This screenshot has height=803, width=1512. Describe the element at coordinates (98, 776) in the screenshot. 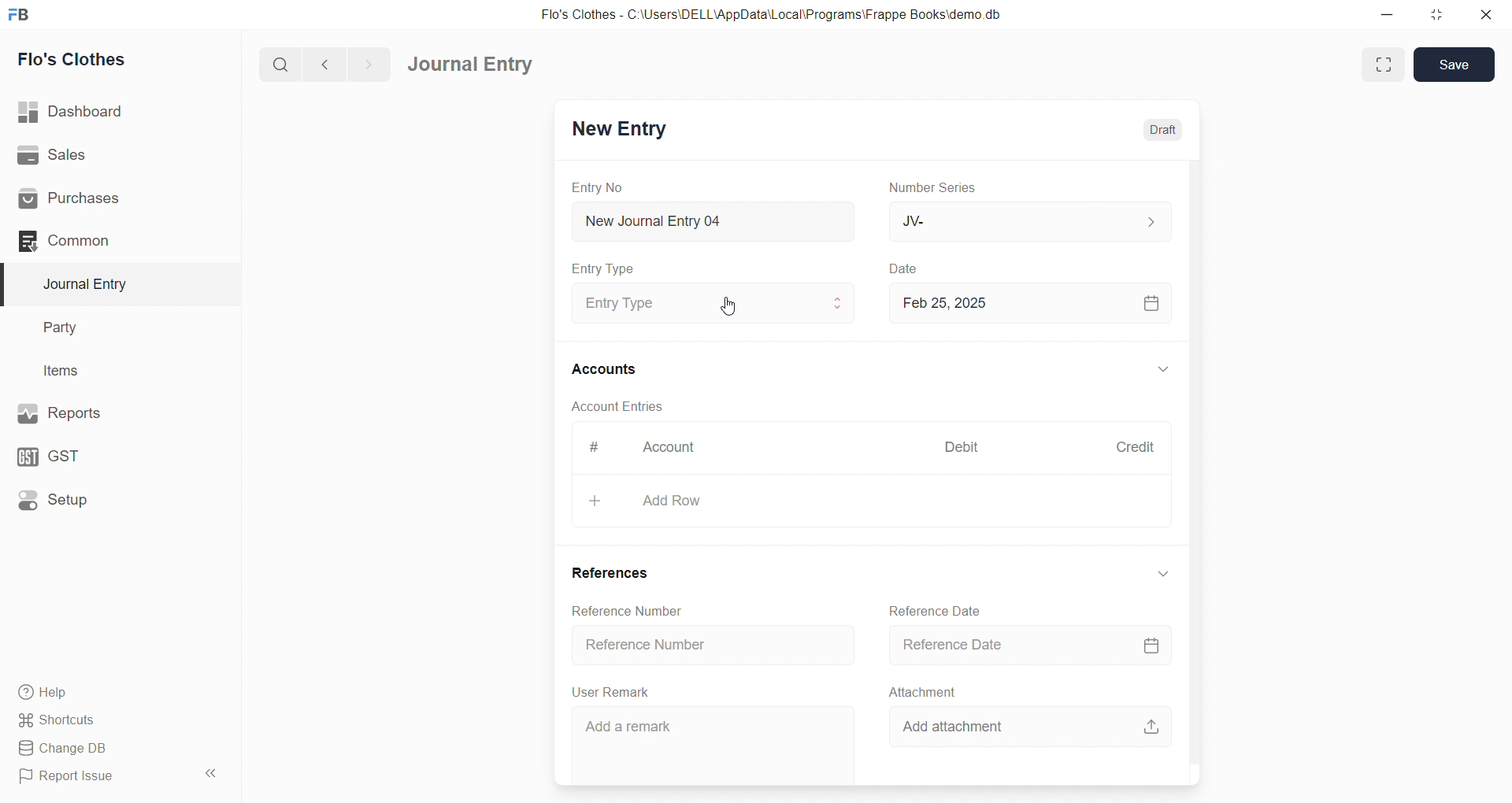

I see `Report Issue` at that location.